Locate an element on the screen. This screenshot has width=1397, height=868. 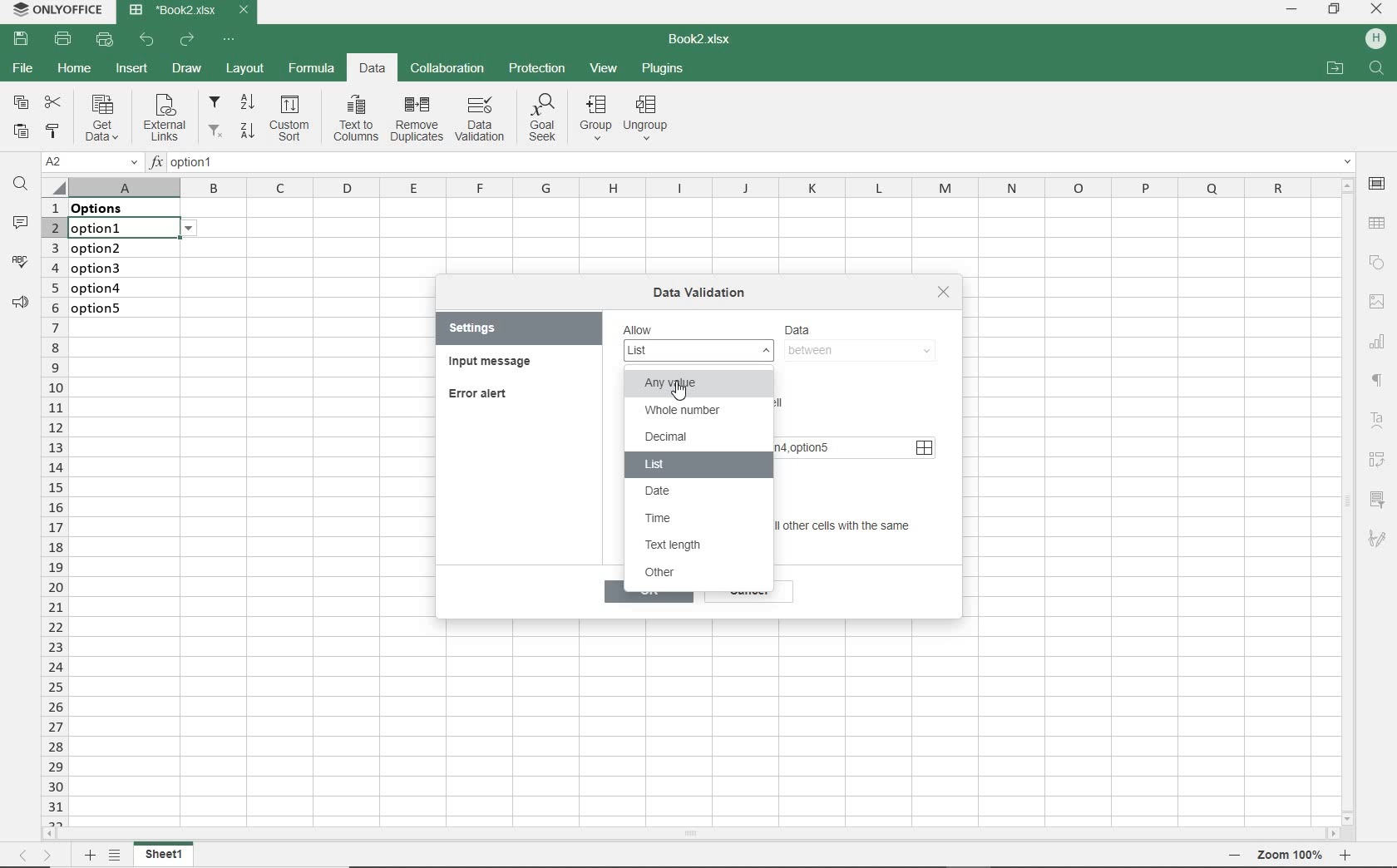
filter from A to Z is located at coordinates (233, 102).